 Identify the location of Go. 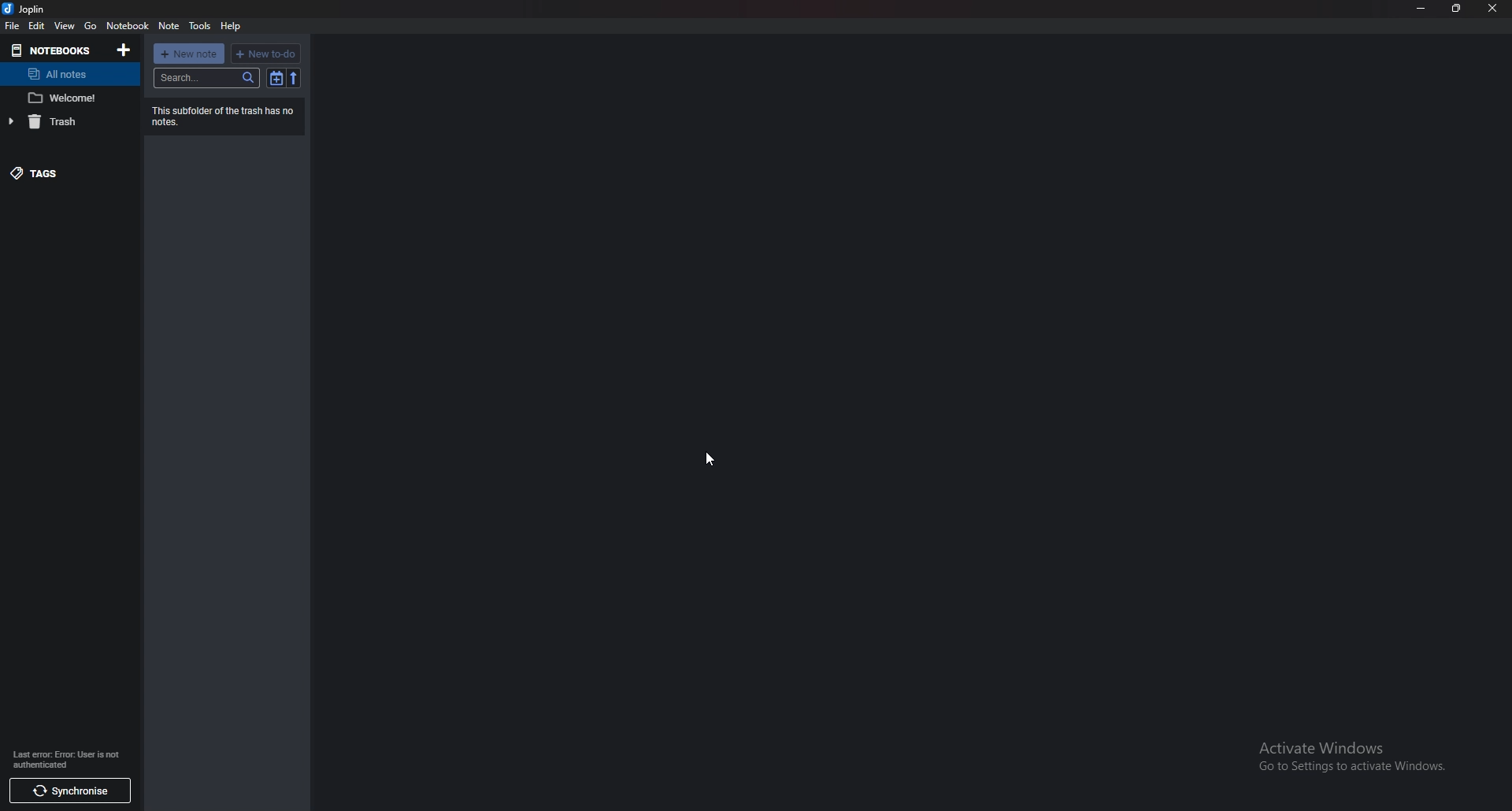
(91, 26).